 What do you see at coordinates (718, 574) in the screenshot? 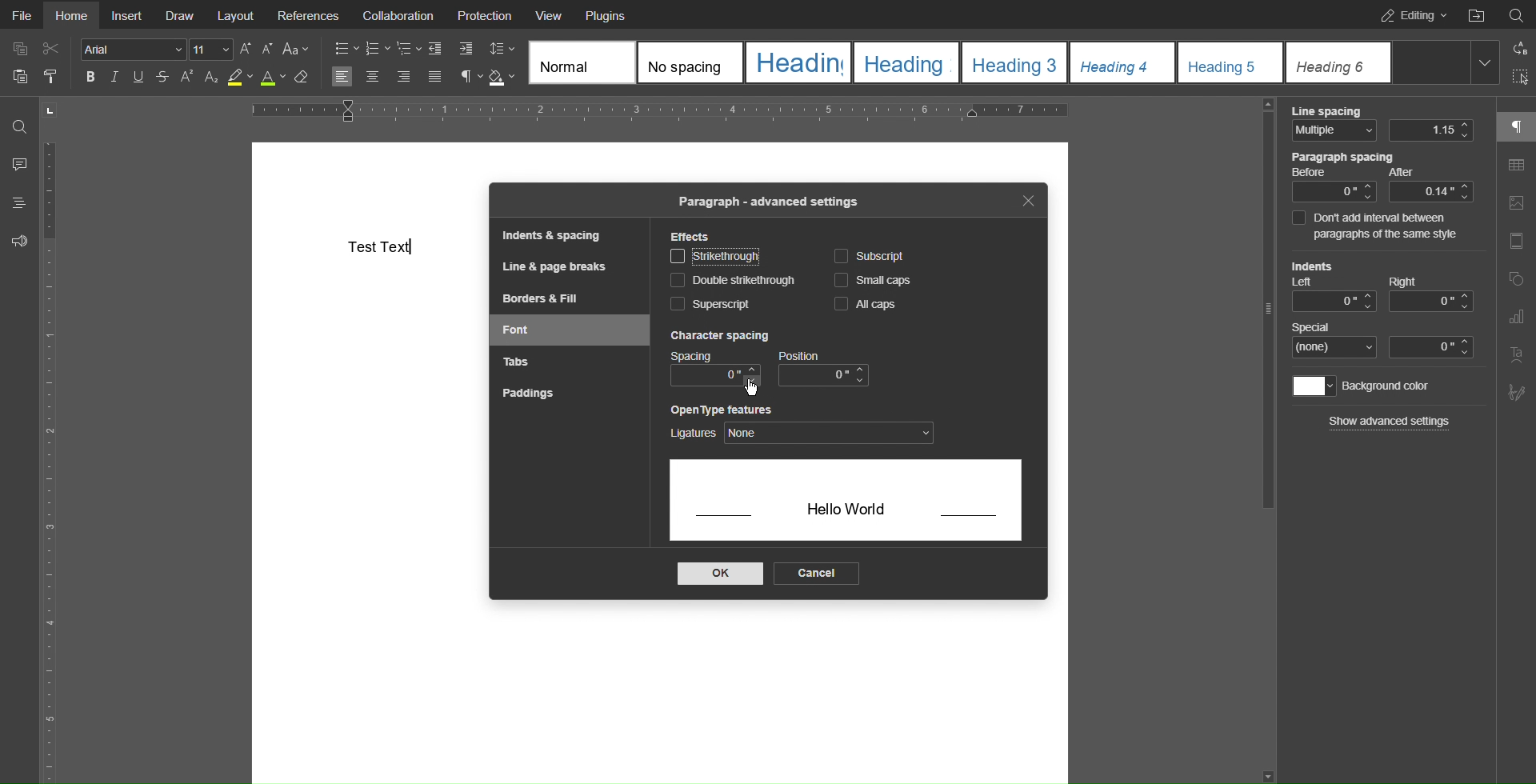
I see `OK` at bounding box center [718, 574].